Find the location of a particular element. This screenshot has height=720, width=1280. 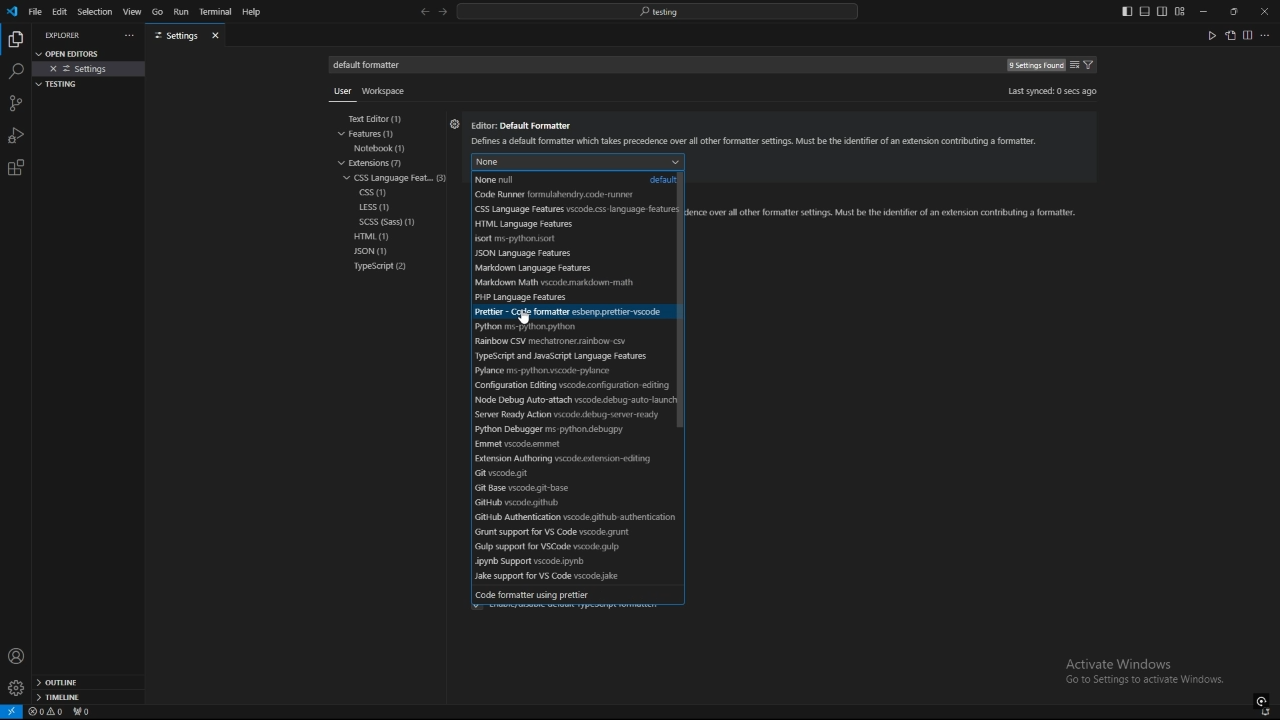

go is located at coordinates (157, 12).